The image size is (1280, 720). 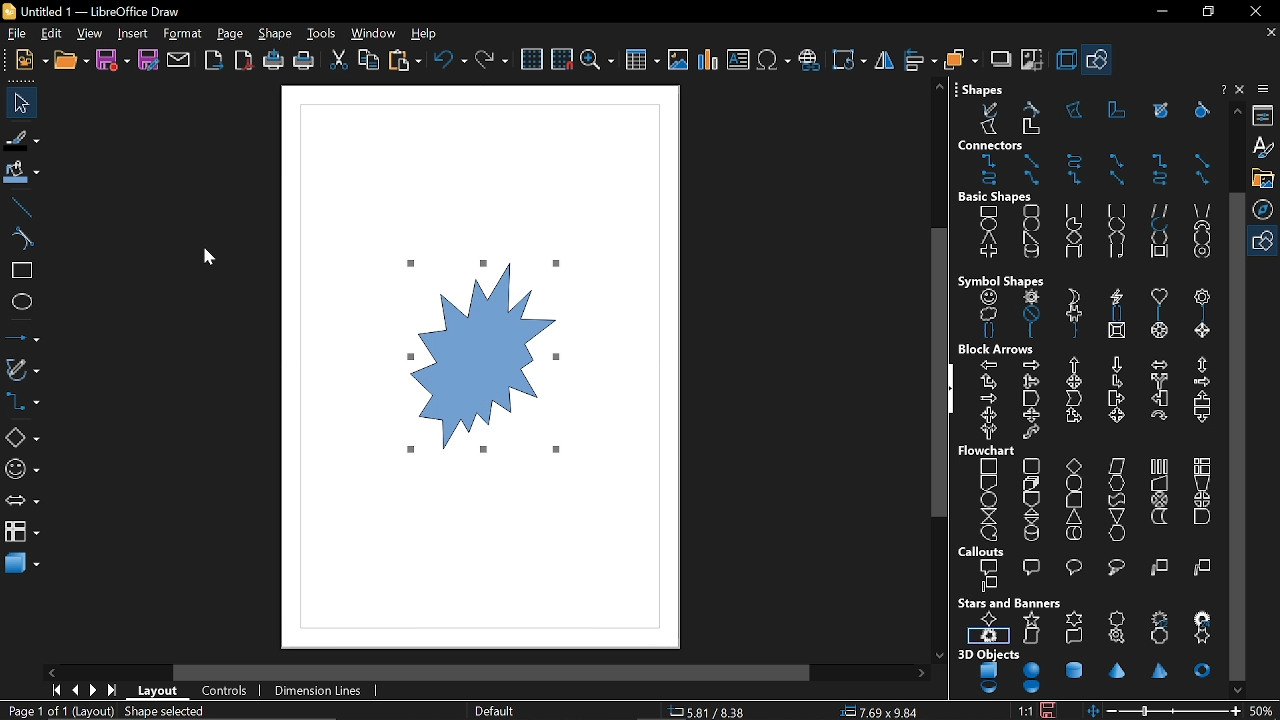 What do you see at coordinates (1266, 89) in the screenshot?
I see `Sidebar settings` at bounding box center [1266, 89].